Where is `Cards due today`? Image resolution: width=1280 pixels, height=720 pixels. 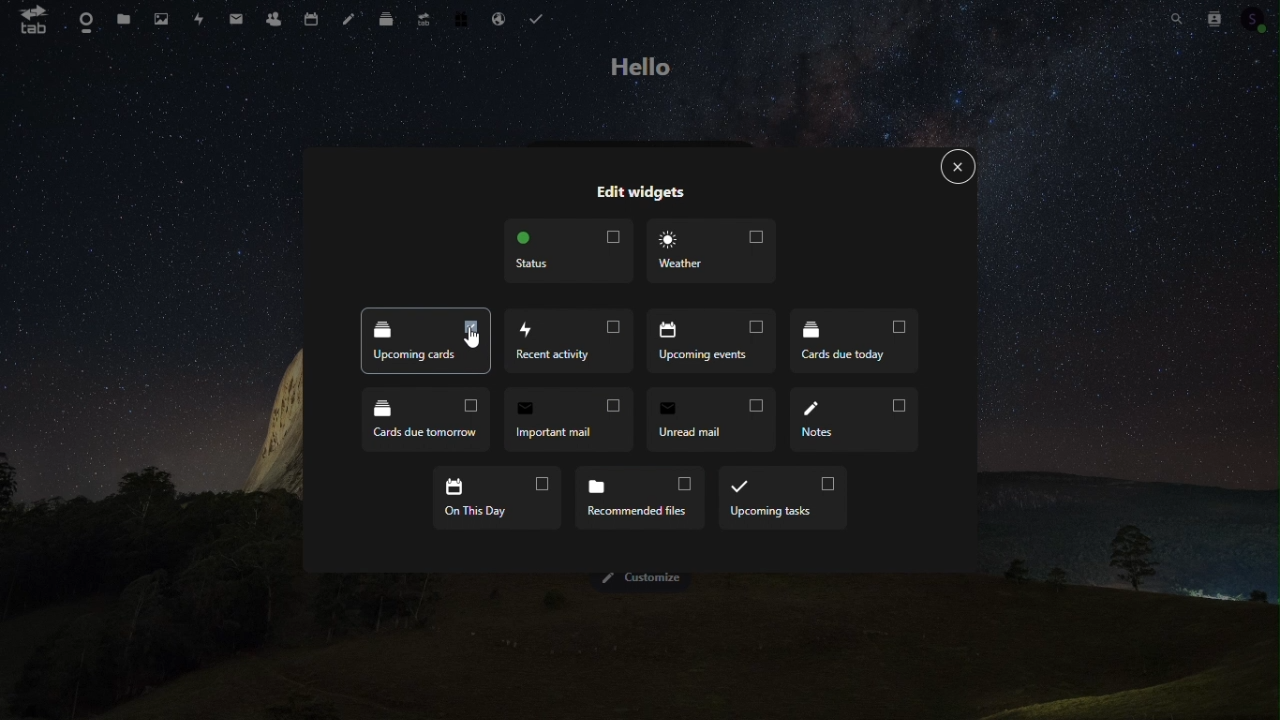 Cards due today is located at coordinates (854, 340).